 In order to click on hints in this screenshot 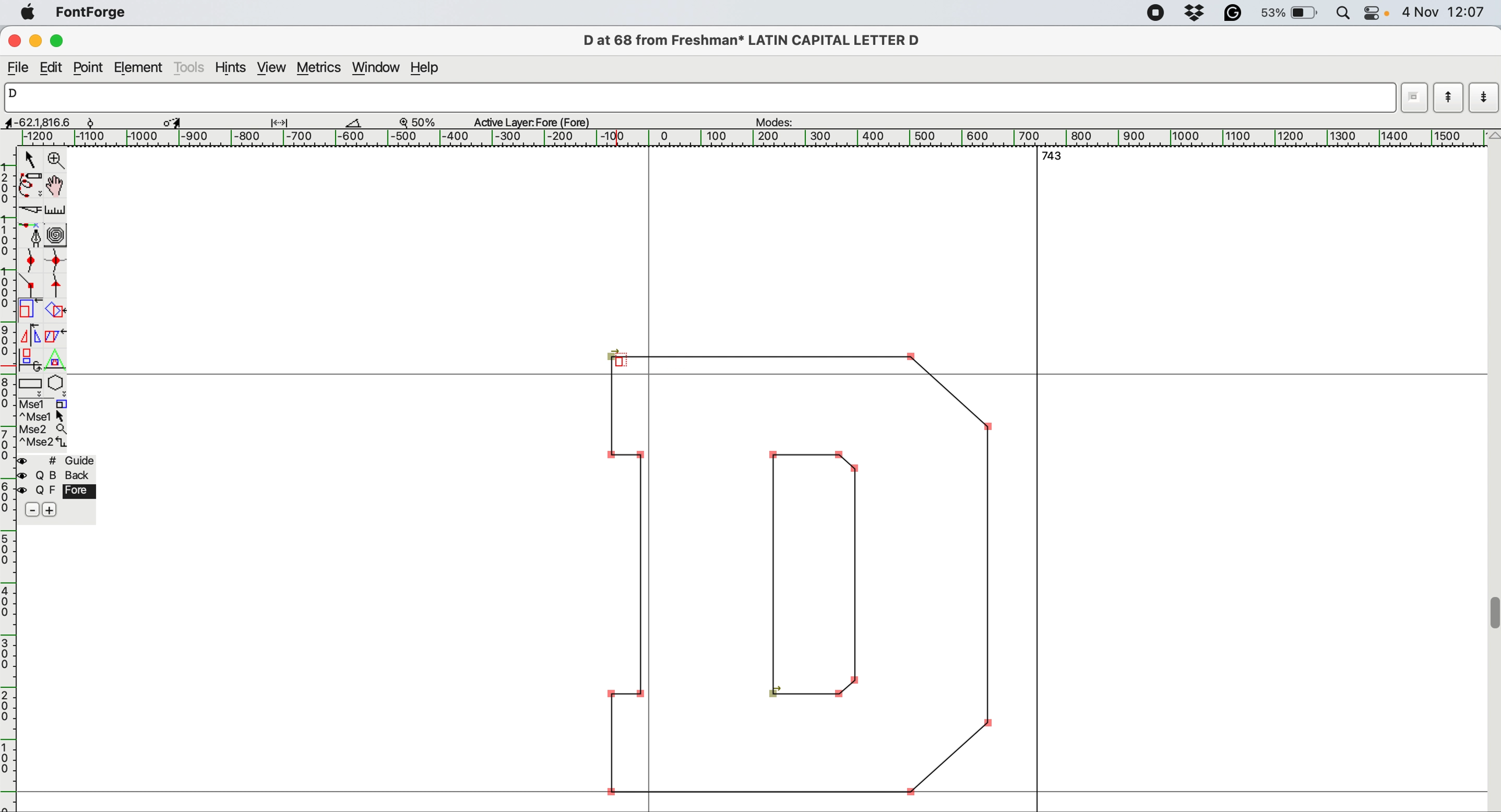, I will do `click(233, 69)`.